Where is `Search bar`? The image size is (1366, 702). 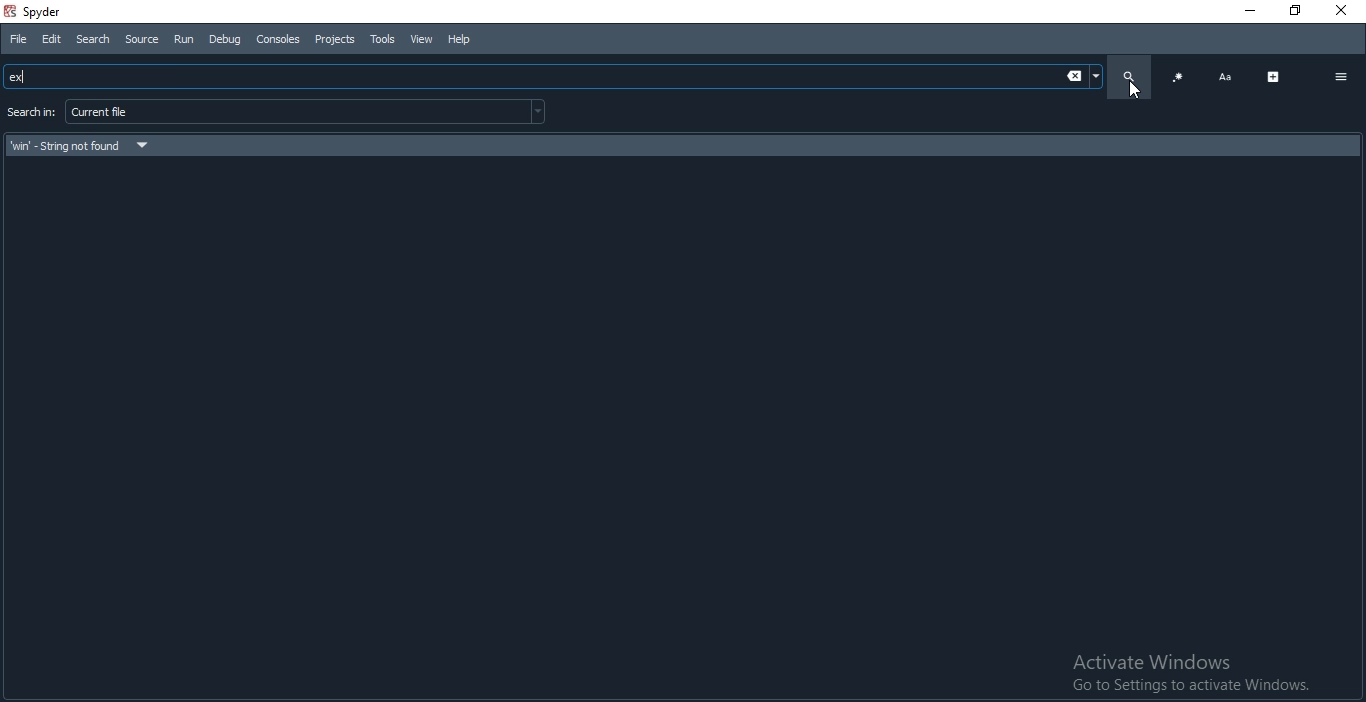
Search bar is located at coordinates (565, 75).